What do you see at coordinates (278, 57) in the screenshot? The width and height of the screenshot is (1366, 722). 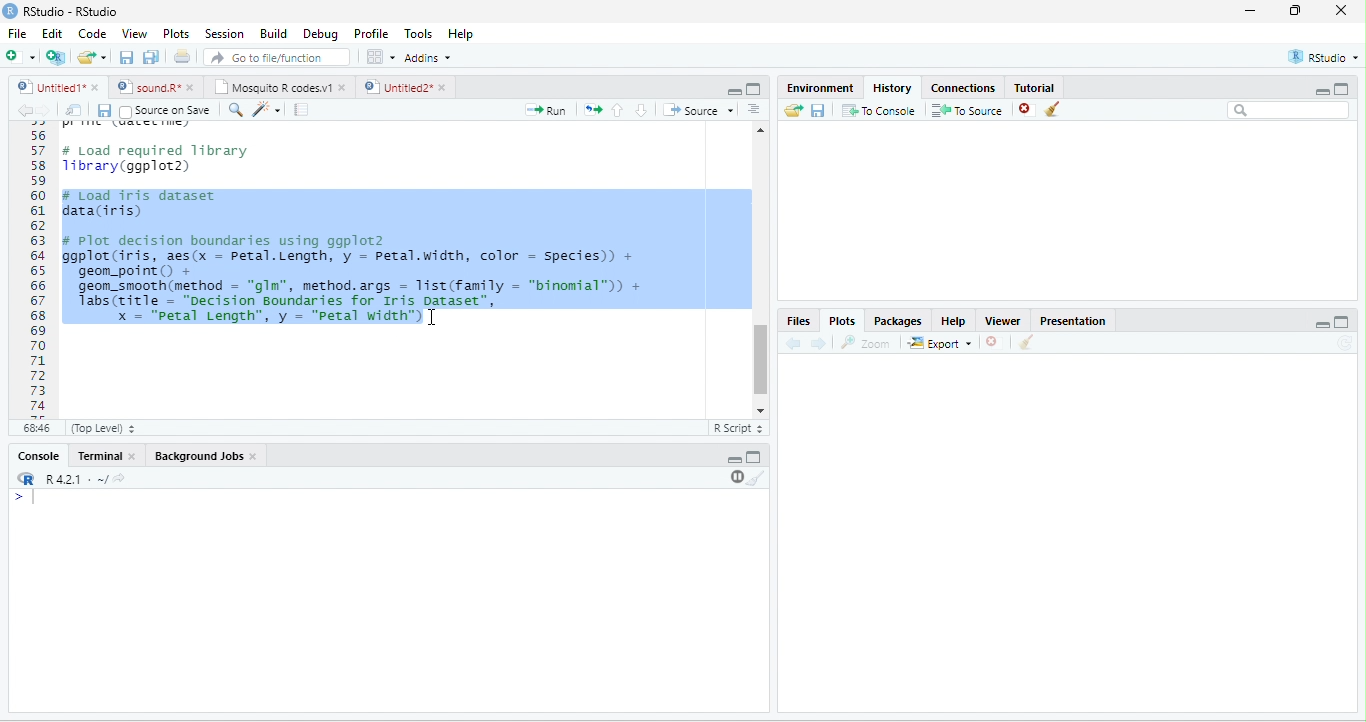 I see `search file` at bounding box center [278, 57].